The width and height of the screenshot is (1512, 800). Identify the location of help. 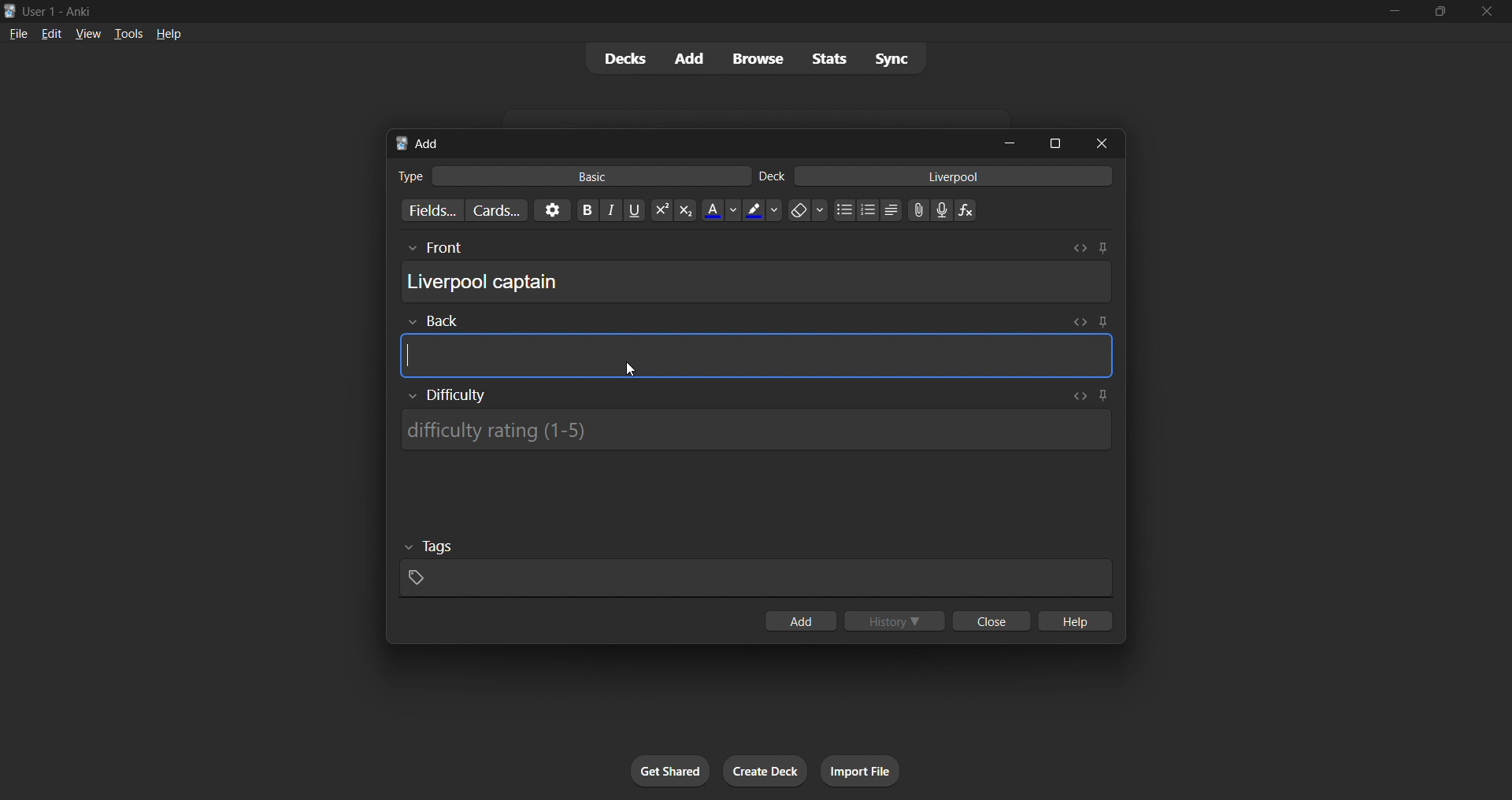
(169, 34).